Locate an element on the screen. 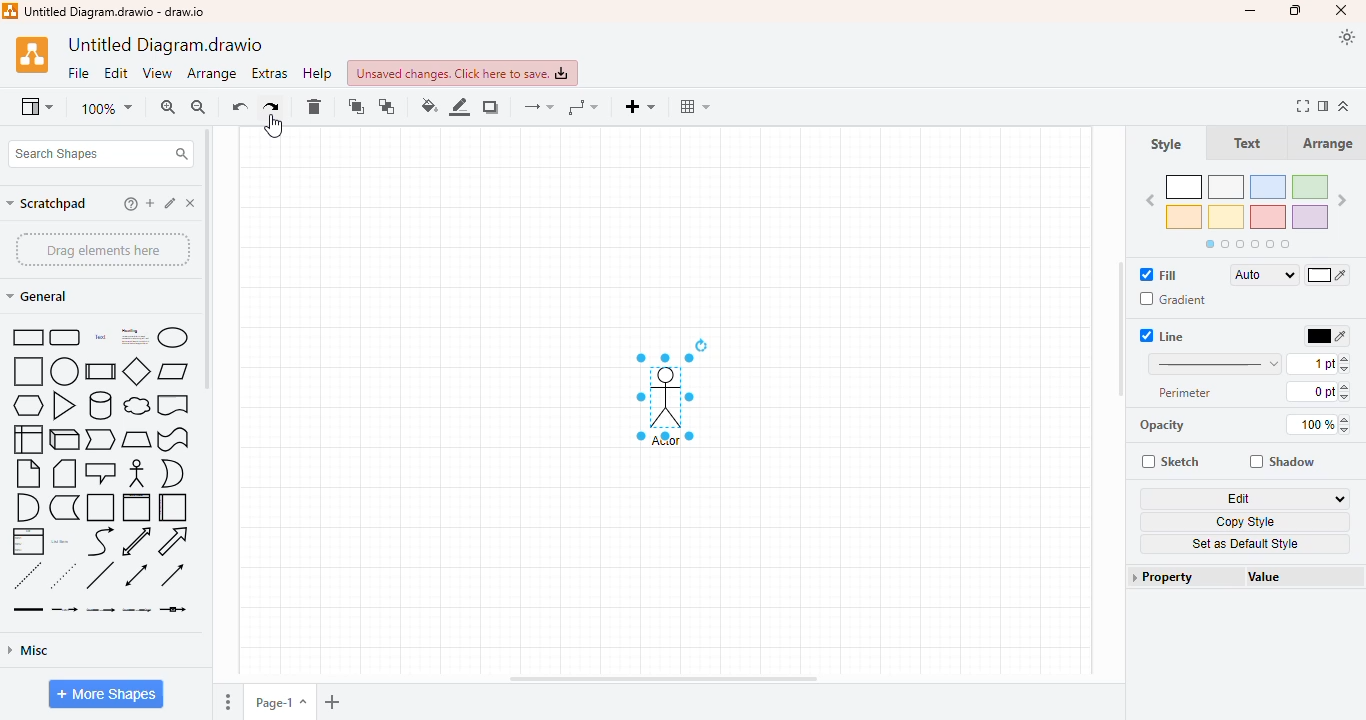  value is located at coordinates (1272, 577).